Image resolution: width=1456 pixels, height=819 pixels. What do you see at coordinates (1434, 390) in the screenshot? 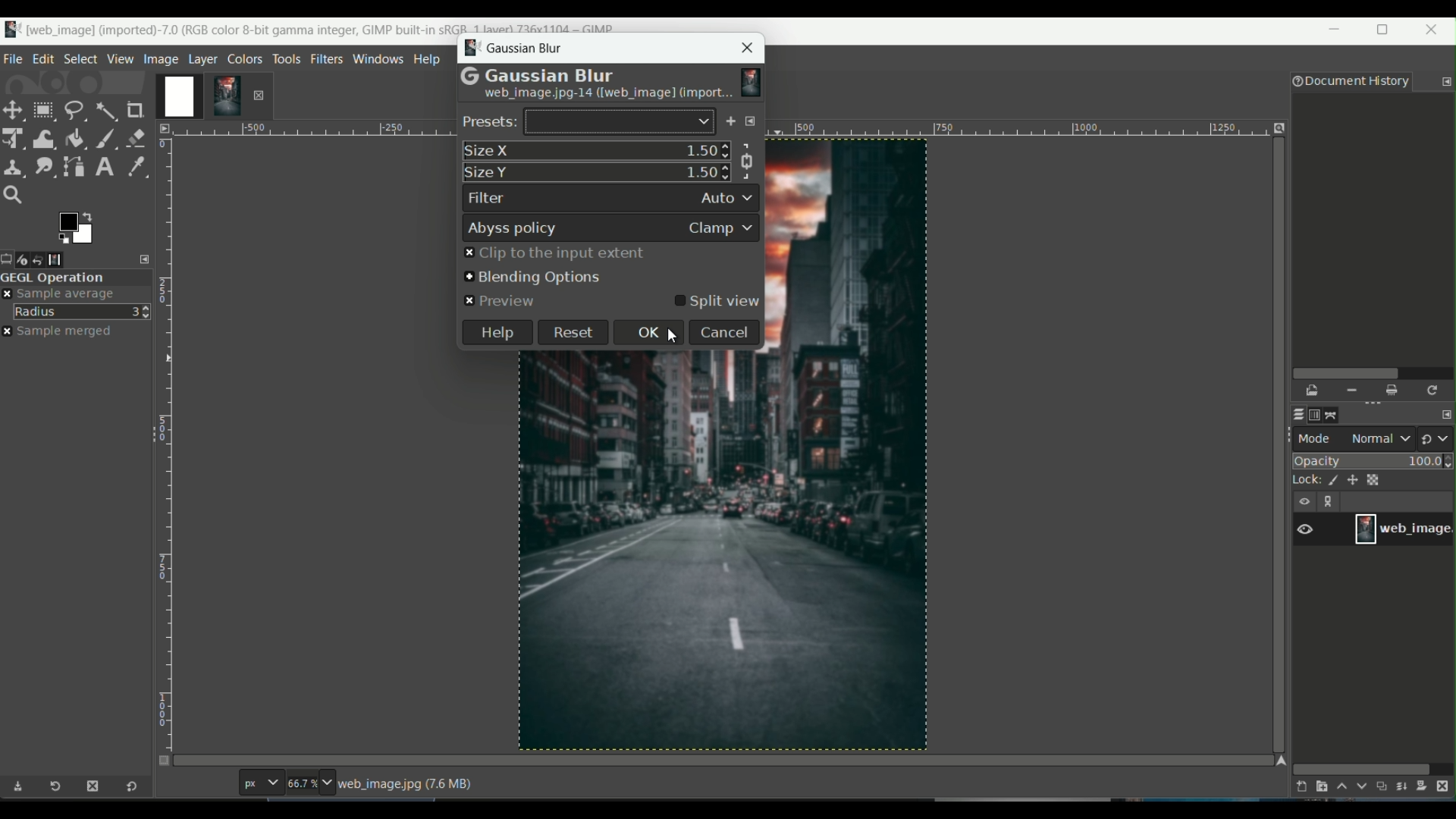
I see `recreate preview` at bounding box center [1434, 390].